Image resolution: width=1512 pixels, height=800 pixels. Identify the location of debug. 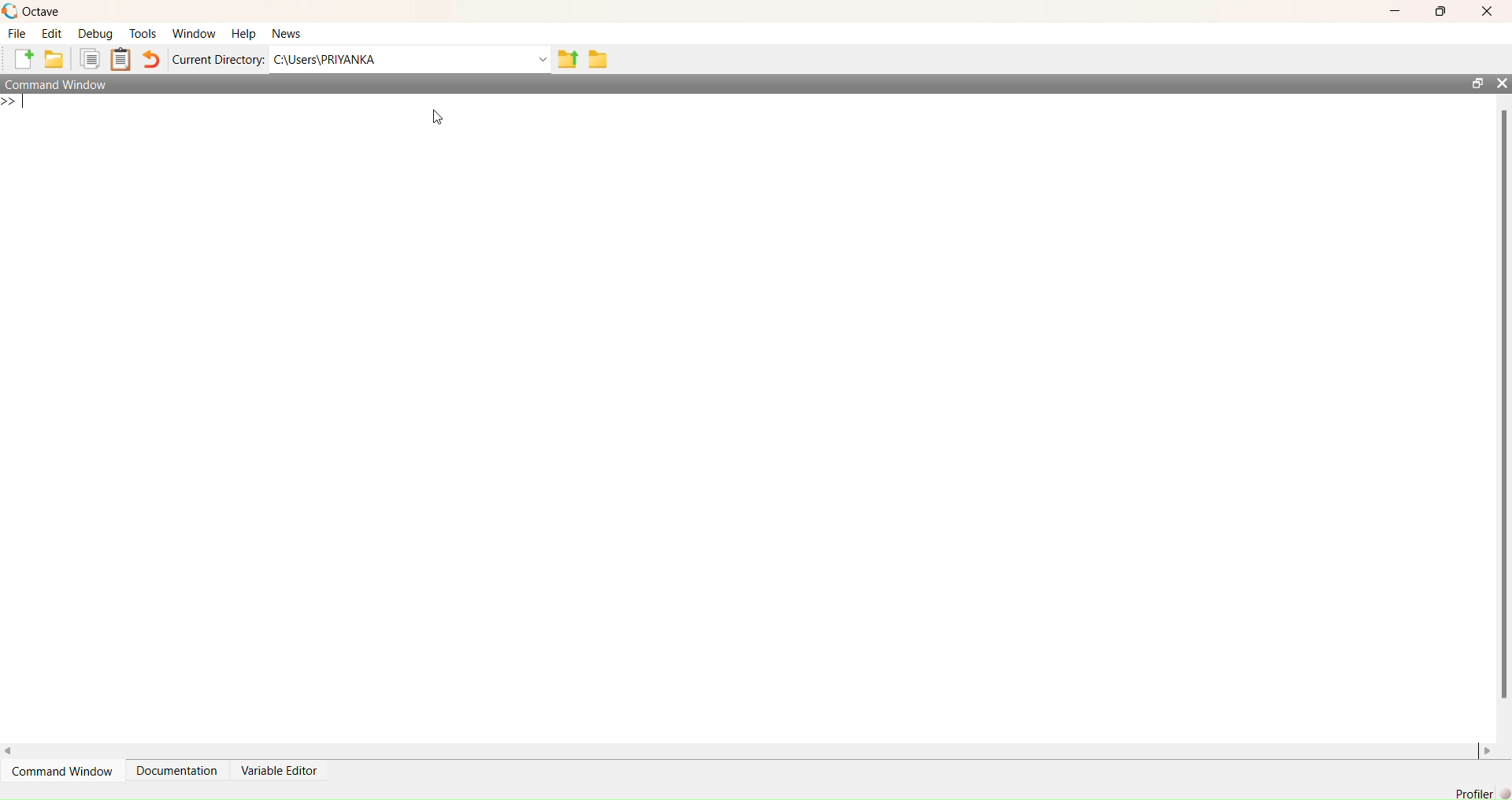
(97, 35).